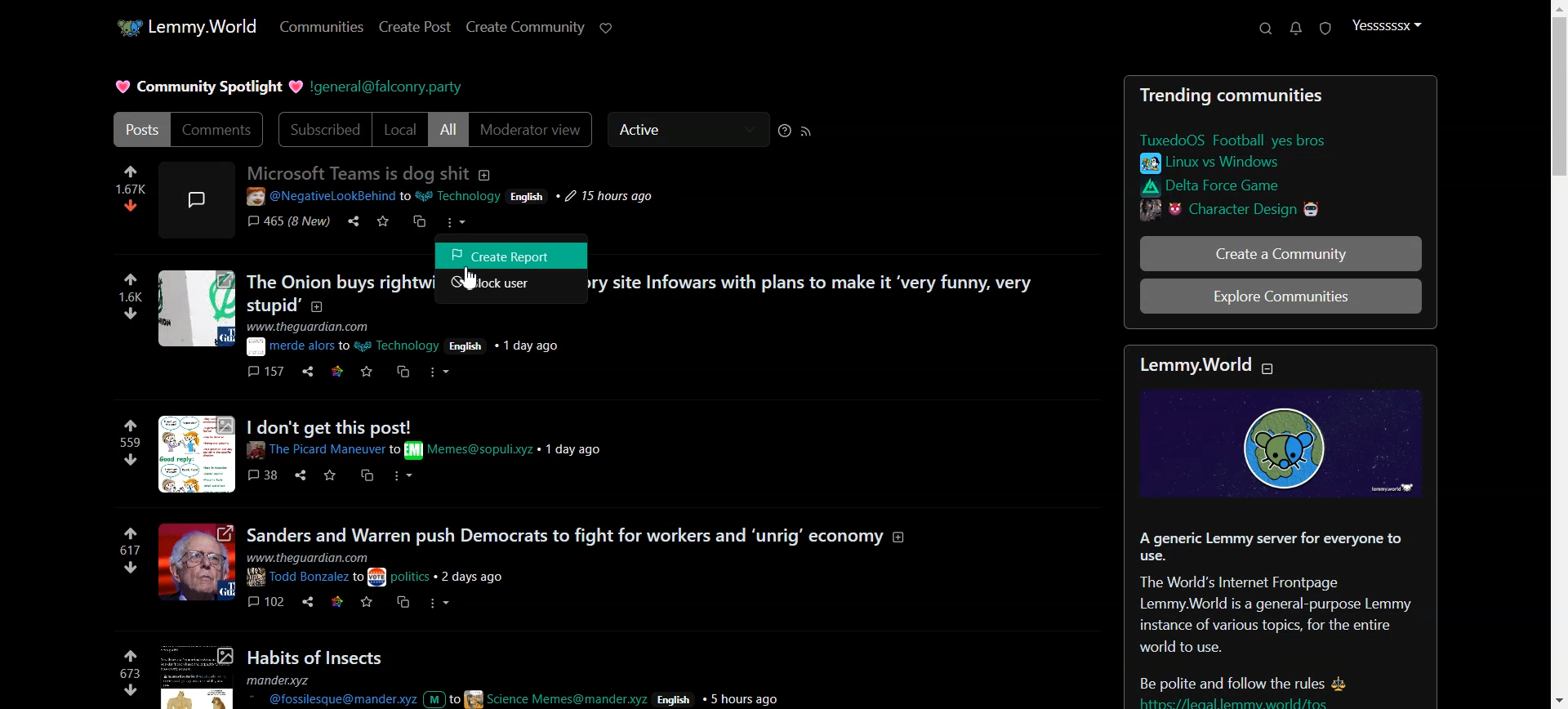 The height and width of the screenshot is (709, 1568). What do you see at coordinates (131, 426) in the screenshot?
I see `like` at bounding box center [131, 426].